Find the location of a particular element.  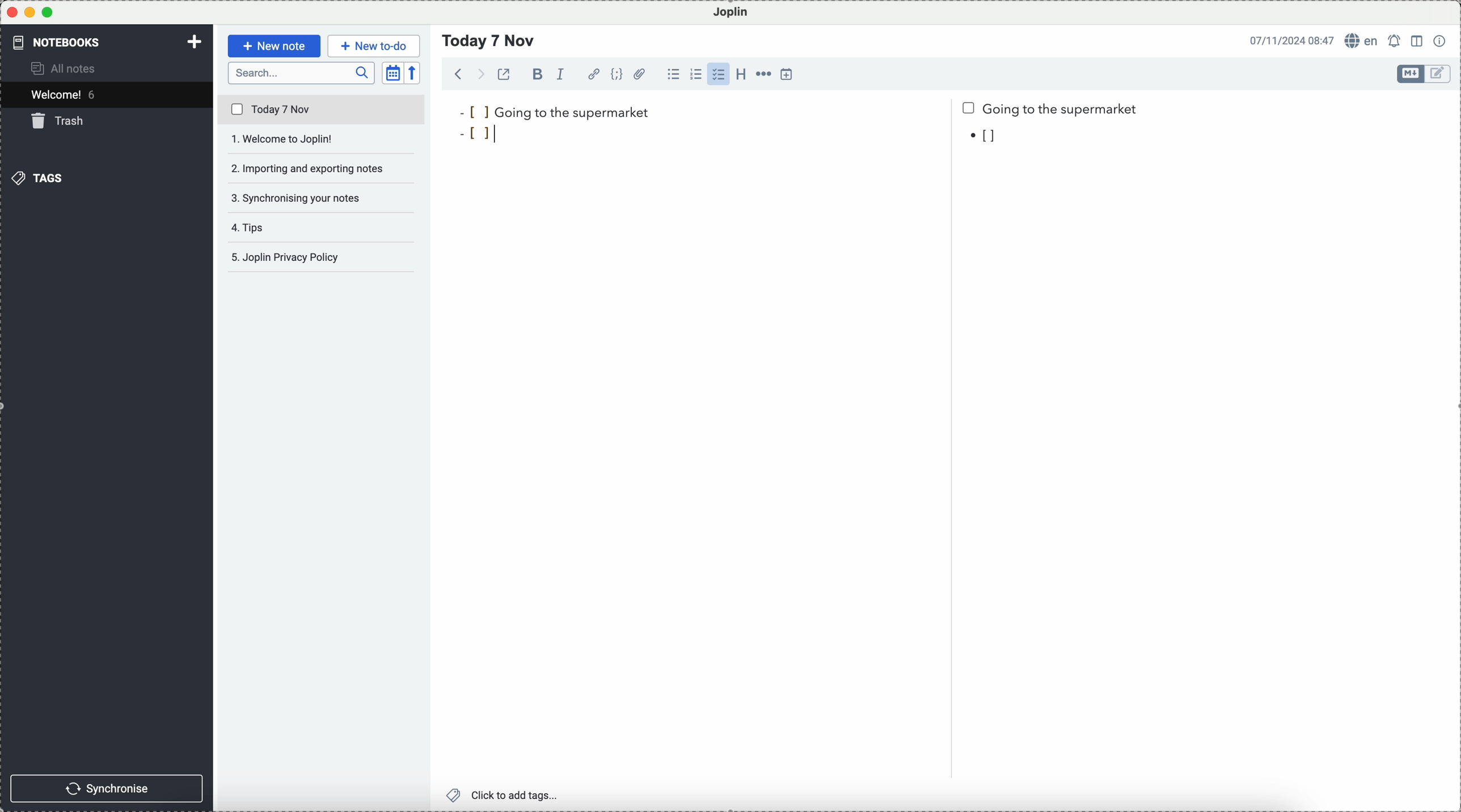

numbered list is located at coordinates (696, 74).